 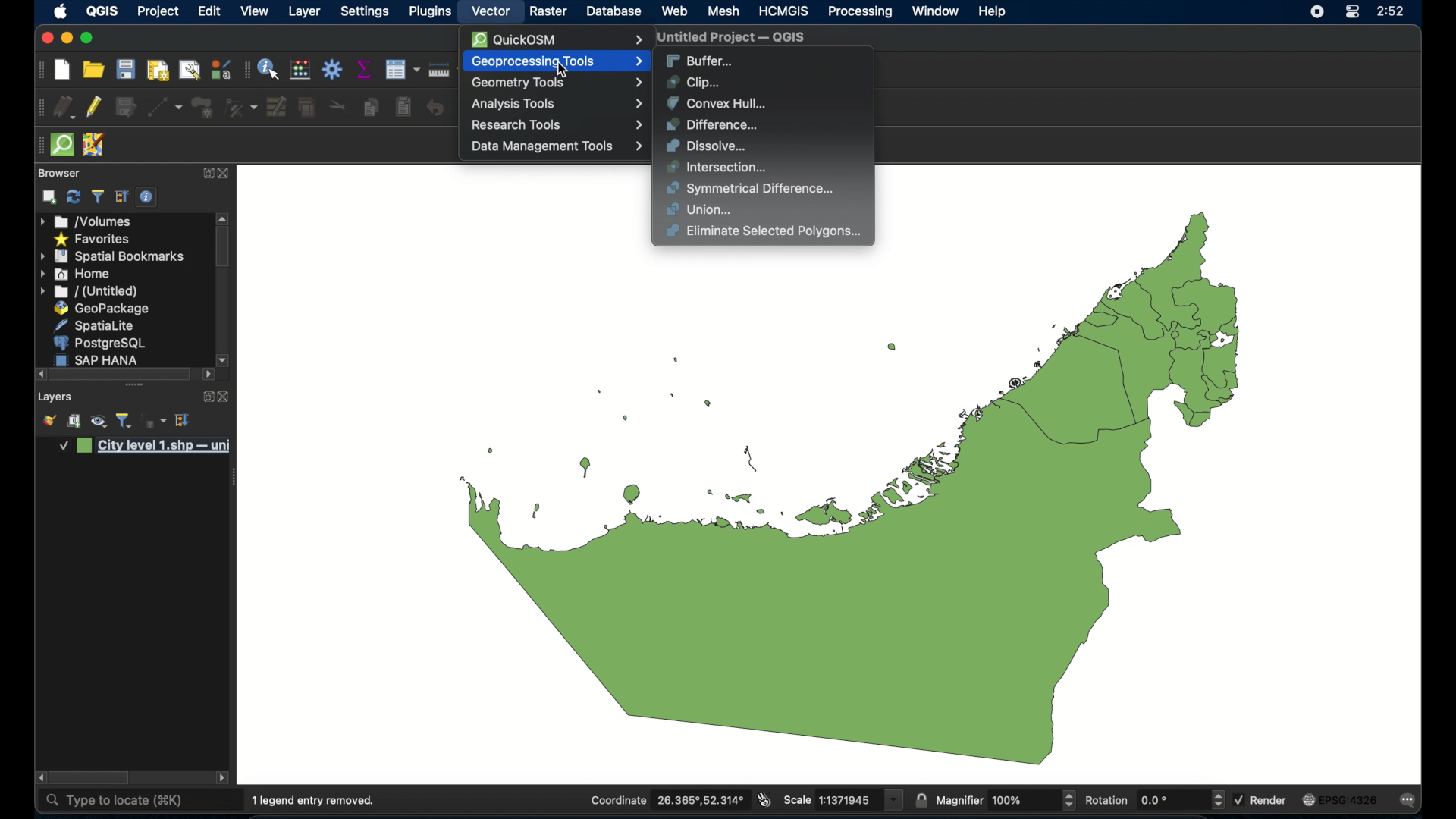 I want to click on control center, so click(x=1351, y=12).